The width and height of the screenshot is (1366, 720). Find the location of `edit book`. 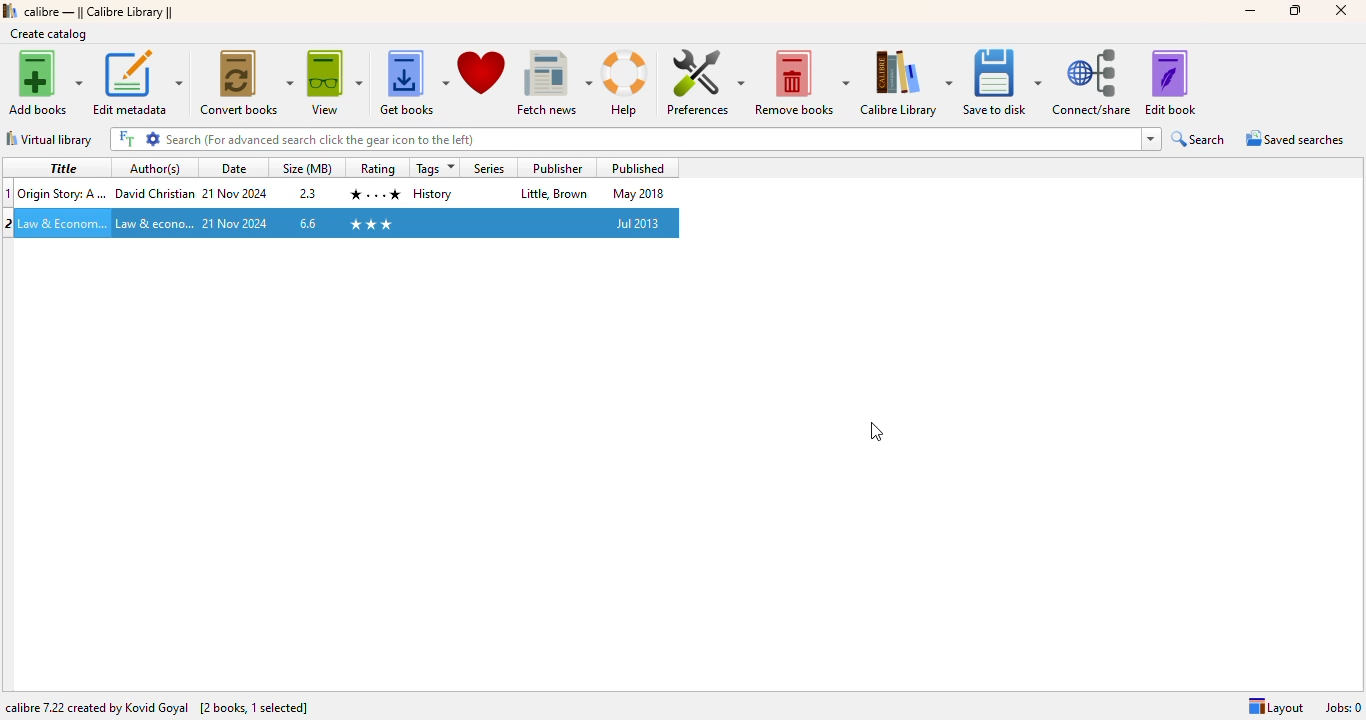

edit book is located at coordinates (1170, 82).